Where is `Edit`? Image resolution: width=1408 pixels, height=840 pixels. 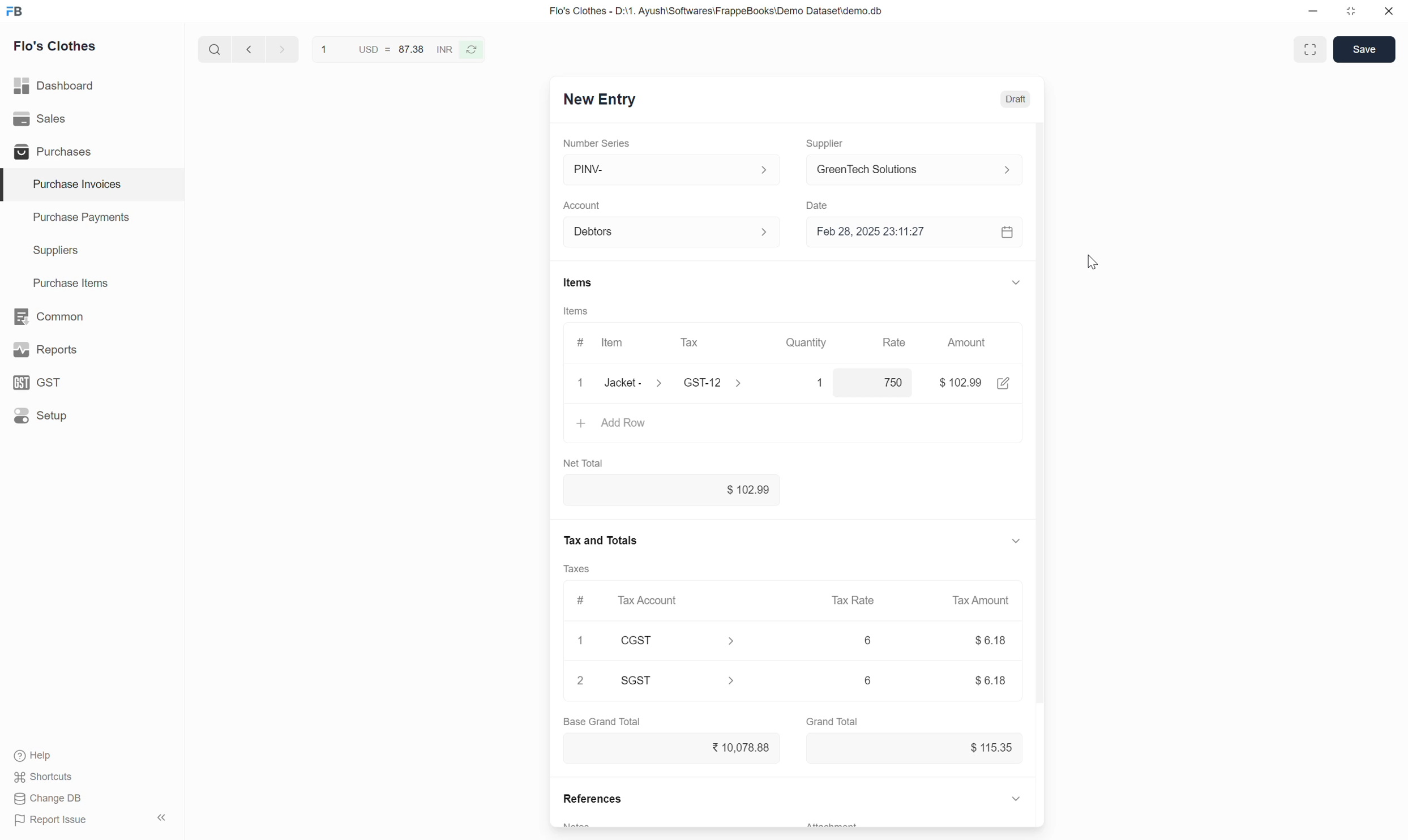 Edit is located at coordinates (1004, 383).